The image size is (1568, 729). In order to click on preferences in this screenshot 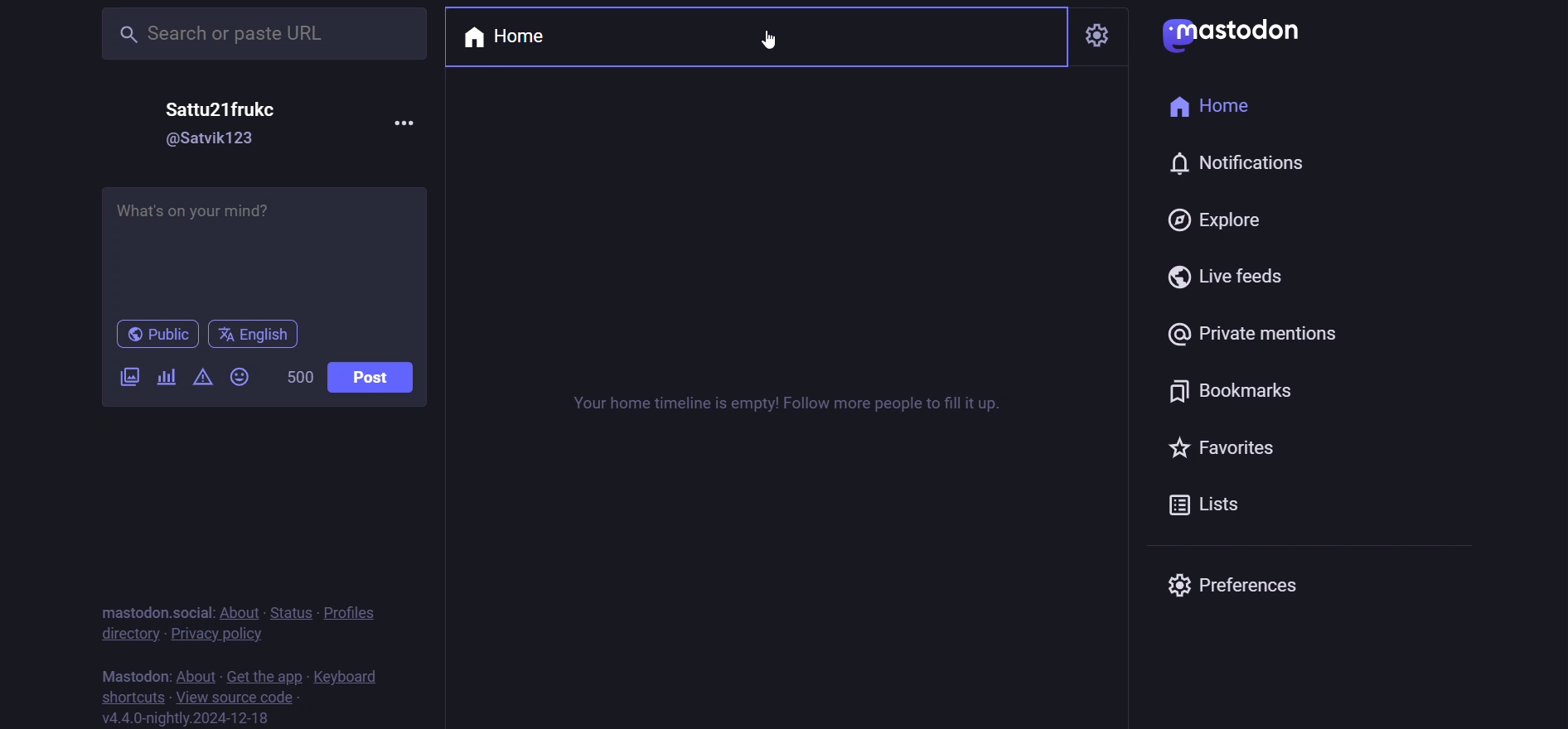, I will do `click(1242, 587)`.